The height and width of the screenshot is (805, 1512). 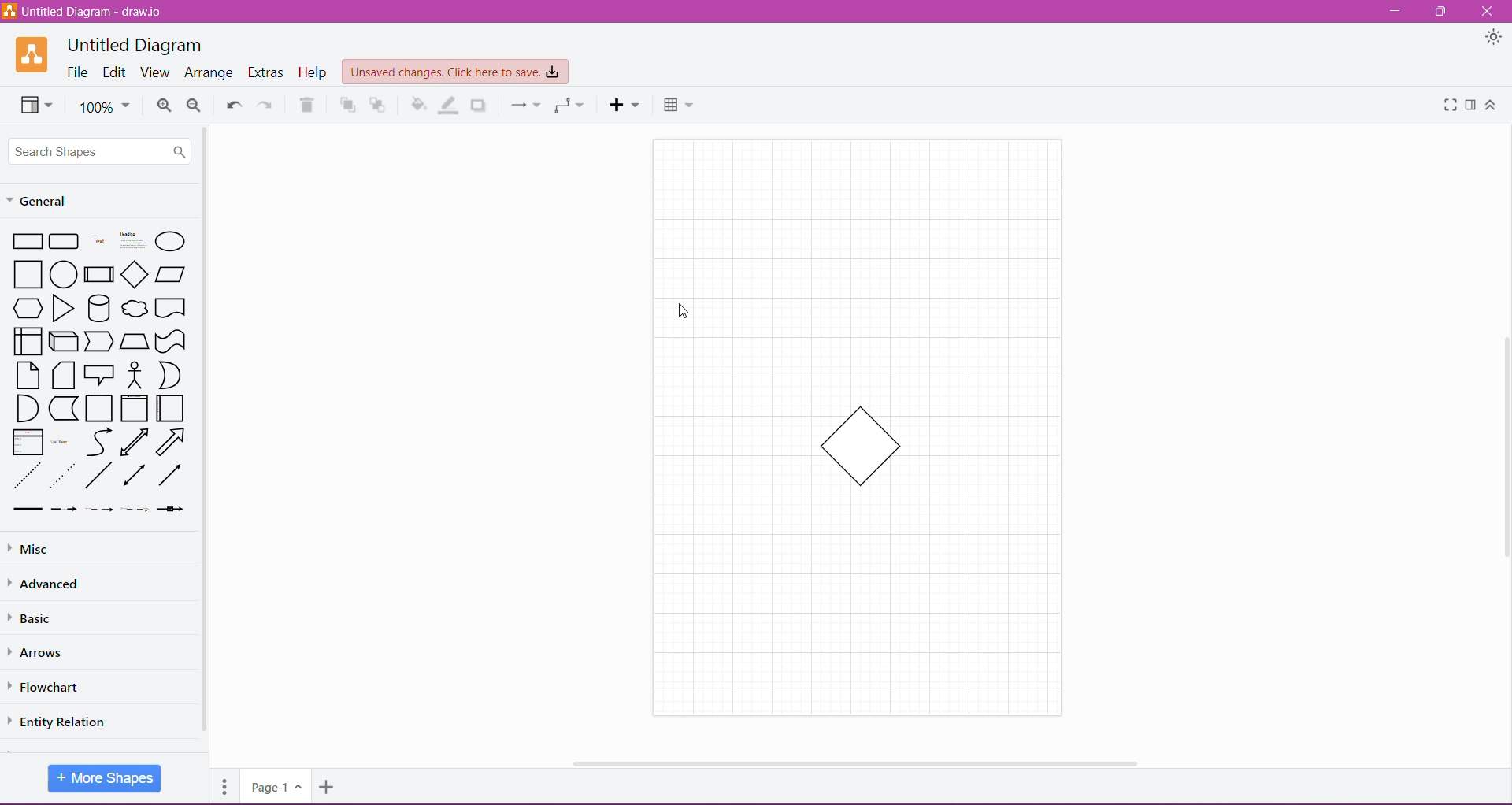 What do you see at coordinates (1471, 106) in the screenshot?
I see `Format` at bounding box center [1471, 106].